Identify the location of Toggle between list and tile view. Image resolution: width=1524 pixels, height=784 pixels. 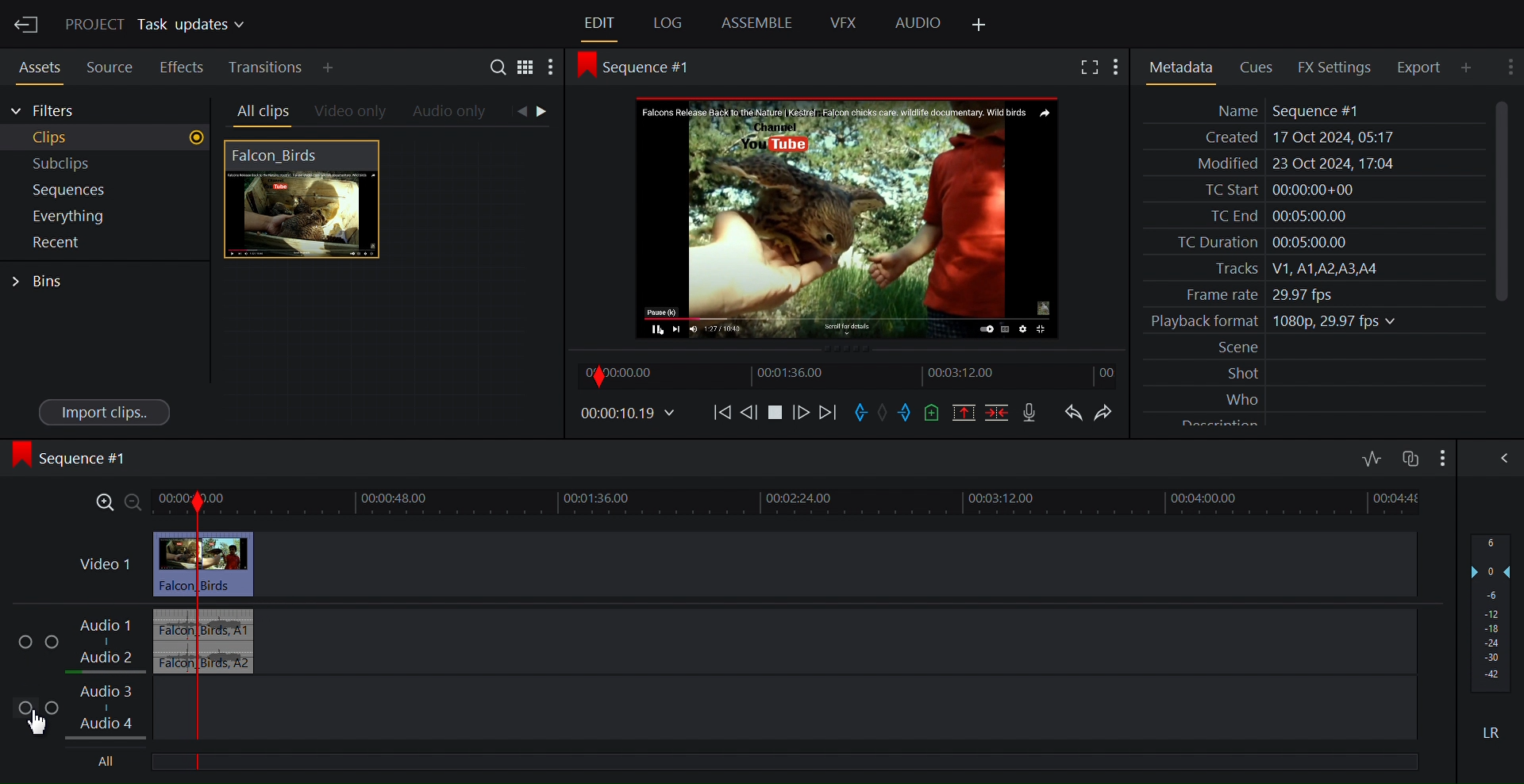
(525, 70).